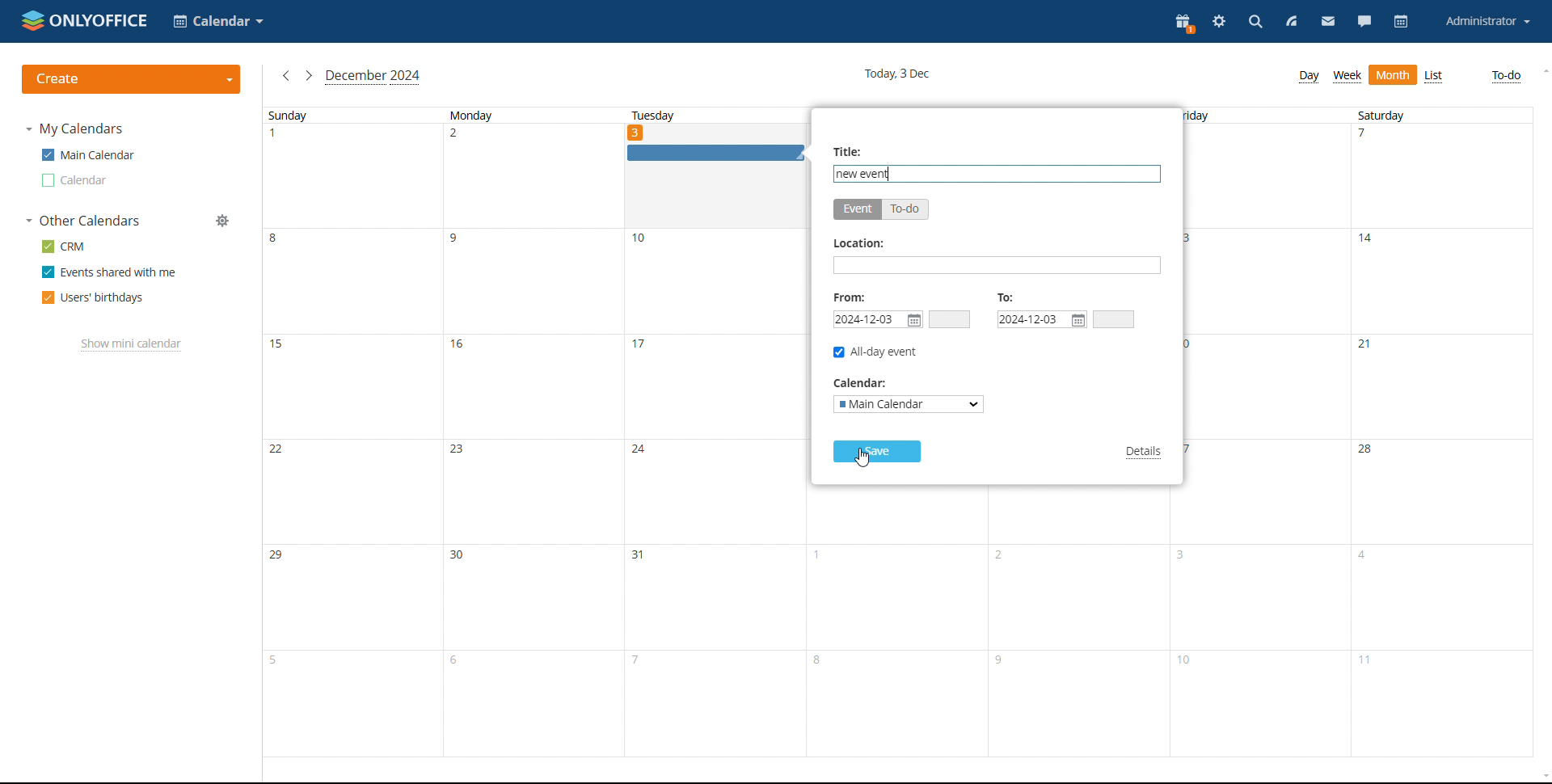 Image resolution: width=1552 pixels, height=784 pixels. What do you see at coordinates (1434, 77) in the screenshot?
I see `list view` at bounding box center [1434, 77].